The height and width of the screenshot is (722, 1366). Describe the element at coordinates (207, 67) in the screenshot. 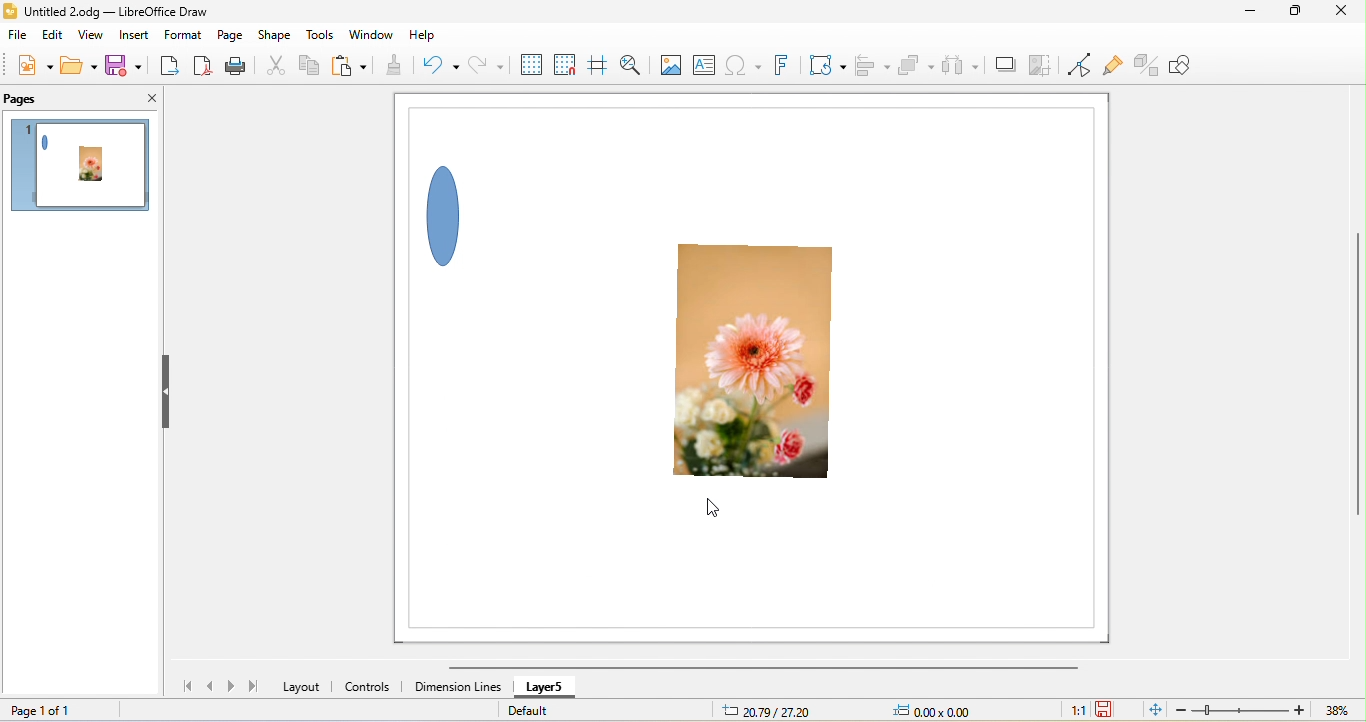

I see `export direct as pdf` at that location.